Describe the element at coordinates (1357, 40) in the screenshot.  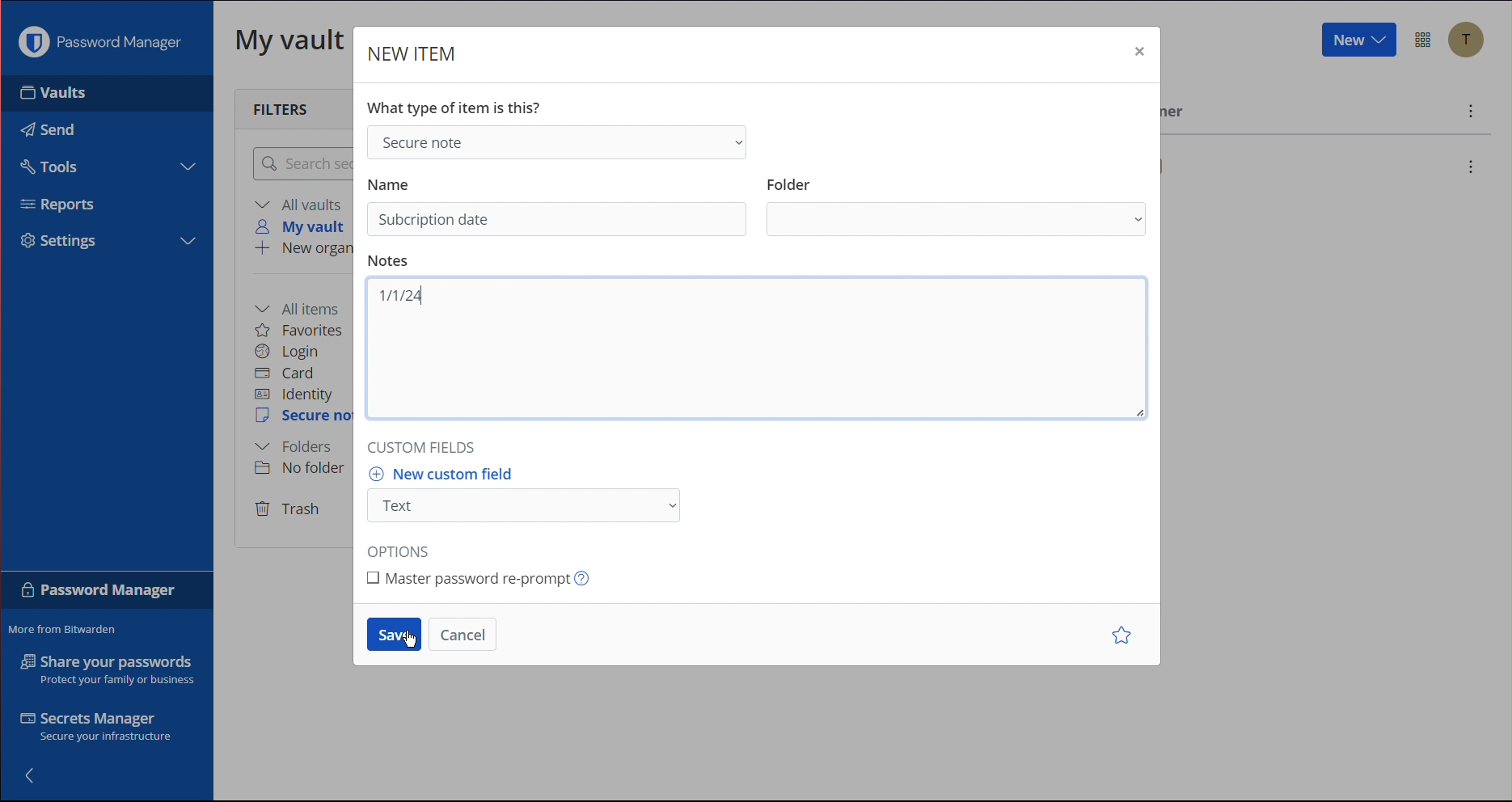
I see `New` at that location.